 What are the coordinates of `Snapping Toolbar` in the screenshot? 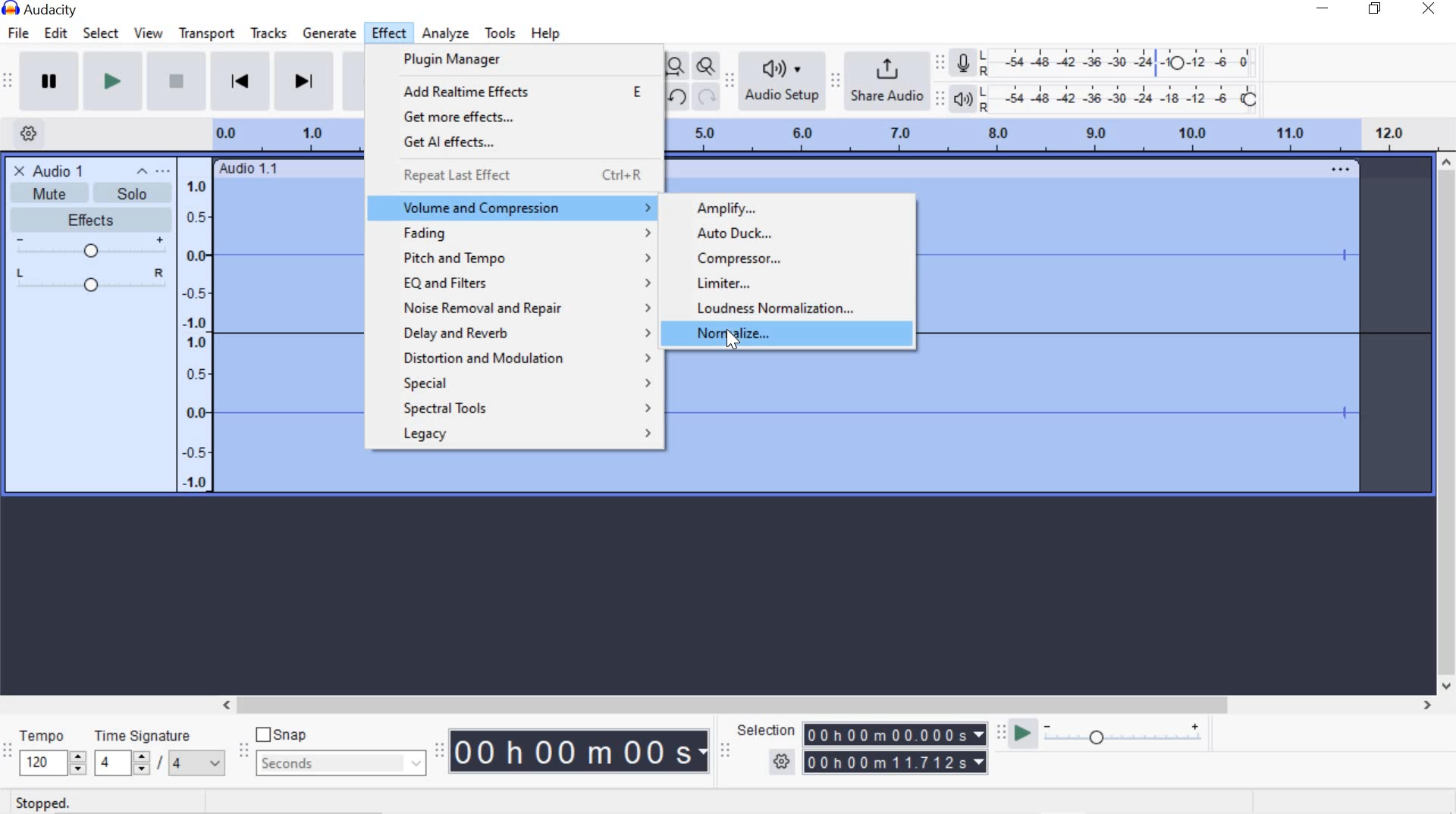 It's located at (246, 752).